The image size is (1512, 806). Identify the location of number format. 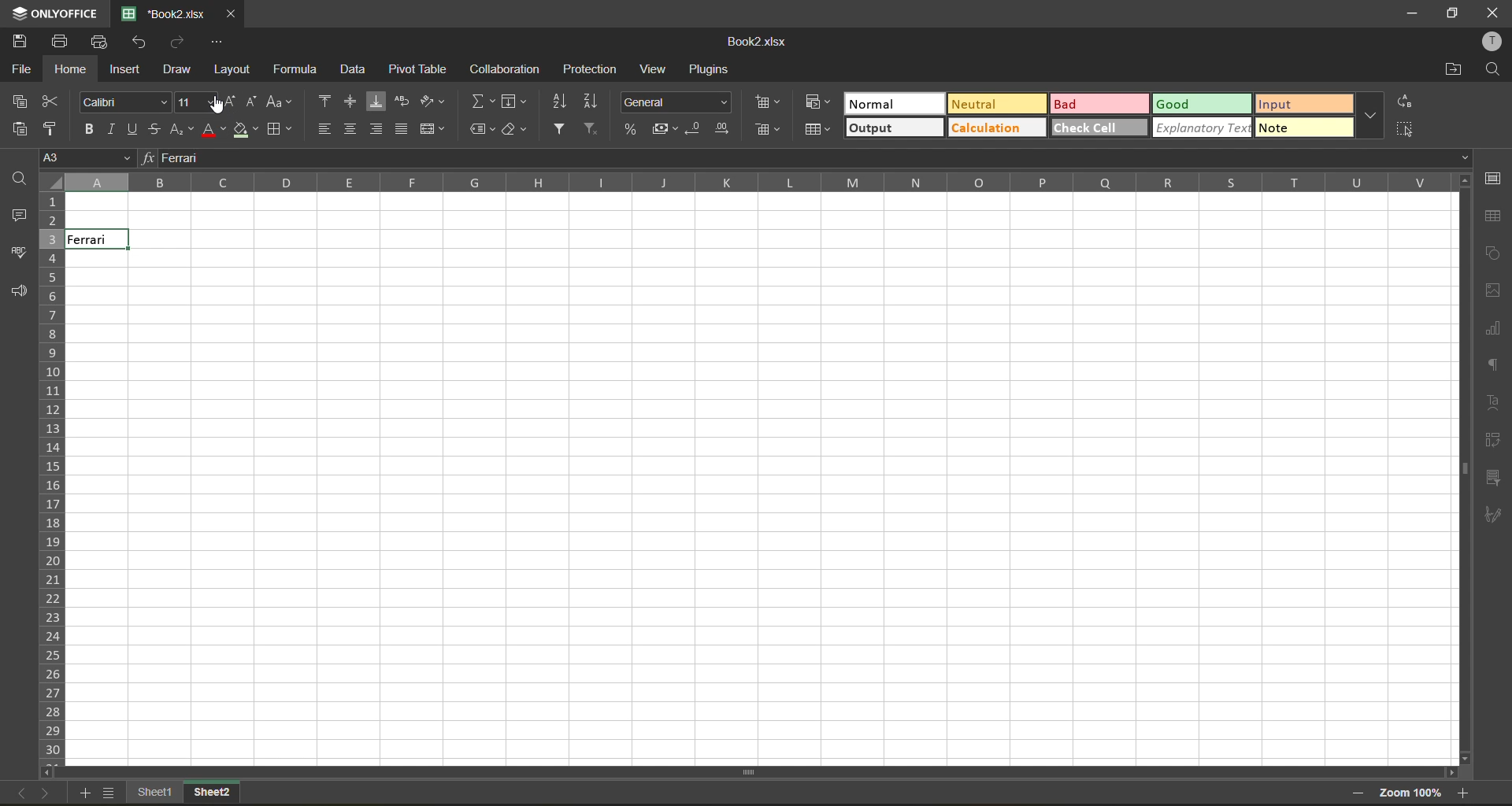
(676, 102).